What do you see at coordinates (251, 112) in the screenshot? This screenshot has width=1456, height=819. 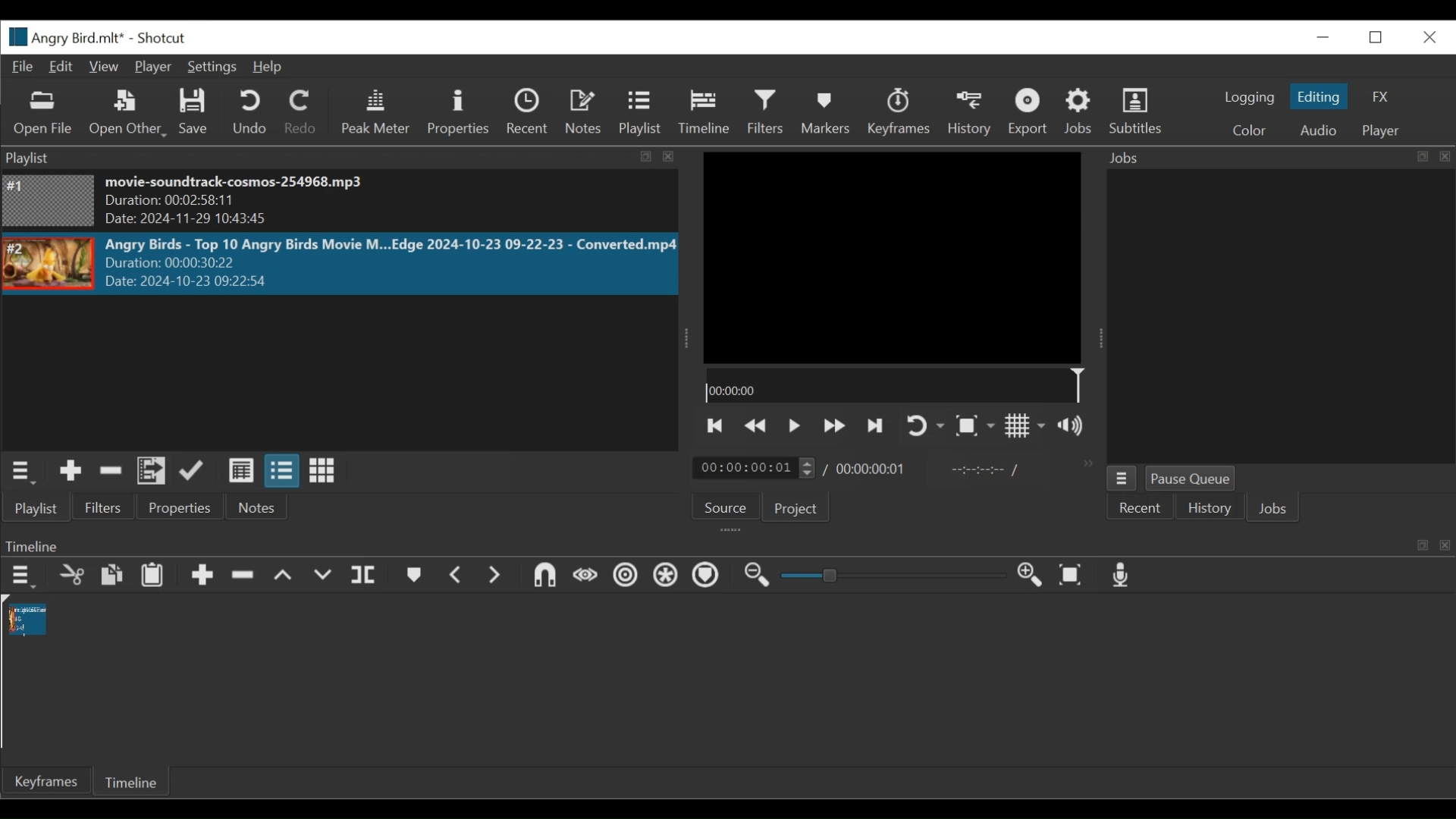 I see `Undo` at bounding box center [251, 112].